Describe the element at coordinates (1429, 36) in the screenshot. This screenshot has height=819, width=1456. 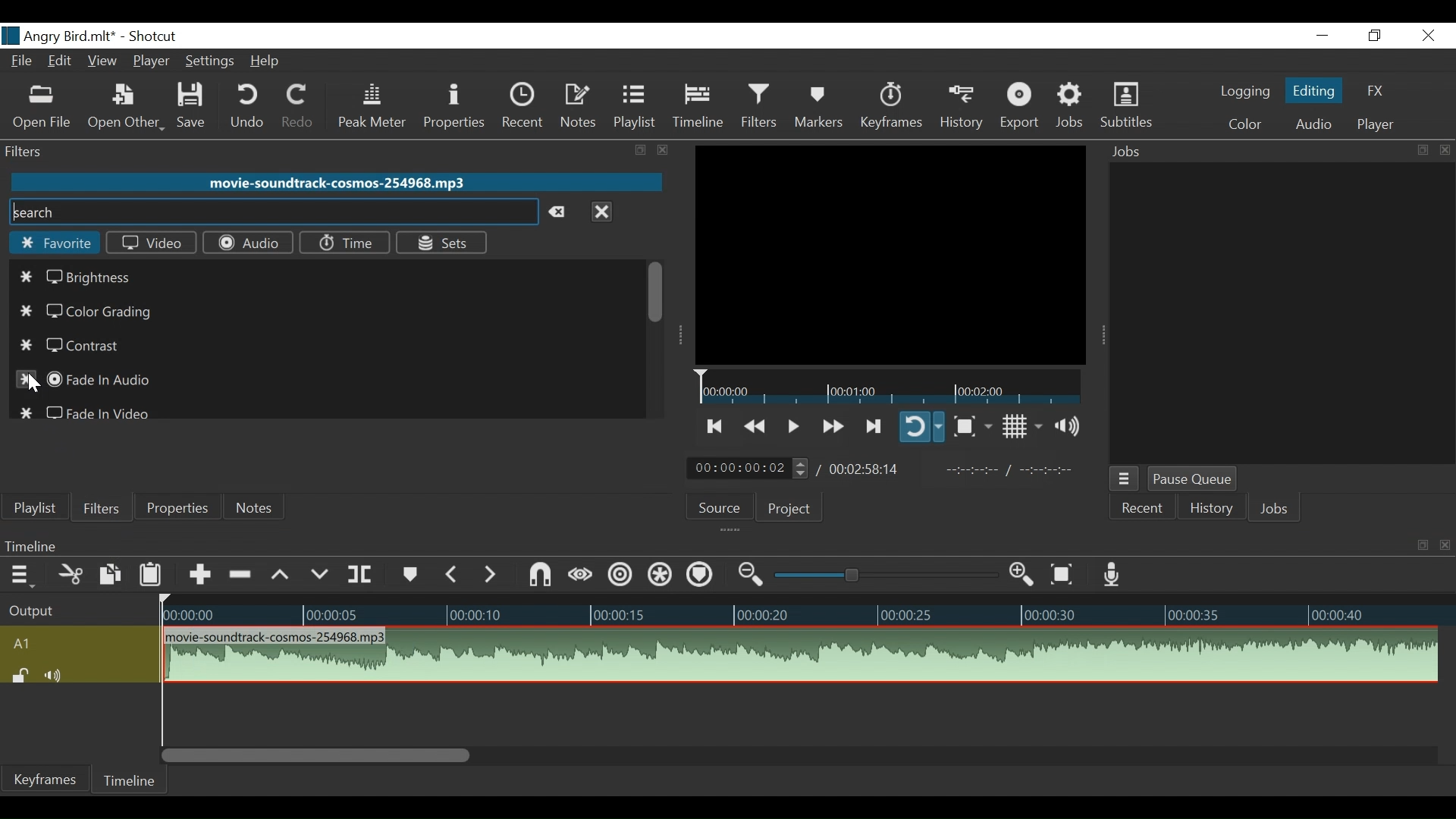
I see `Close` at that location.